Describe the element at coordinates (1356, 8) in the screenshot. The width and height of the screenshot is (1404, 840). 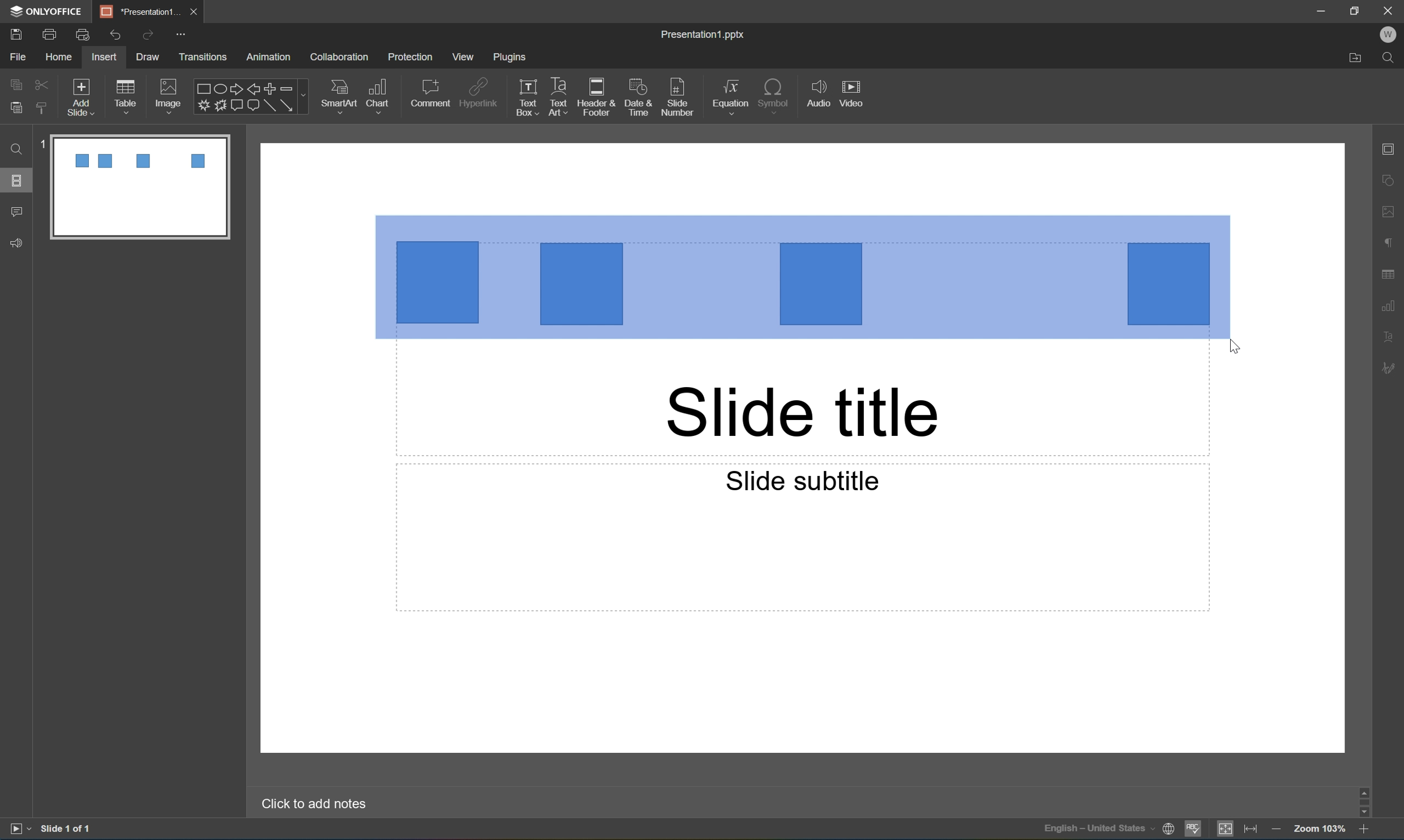
I see `restore down` at that location.